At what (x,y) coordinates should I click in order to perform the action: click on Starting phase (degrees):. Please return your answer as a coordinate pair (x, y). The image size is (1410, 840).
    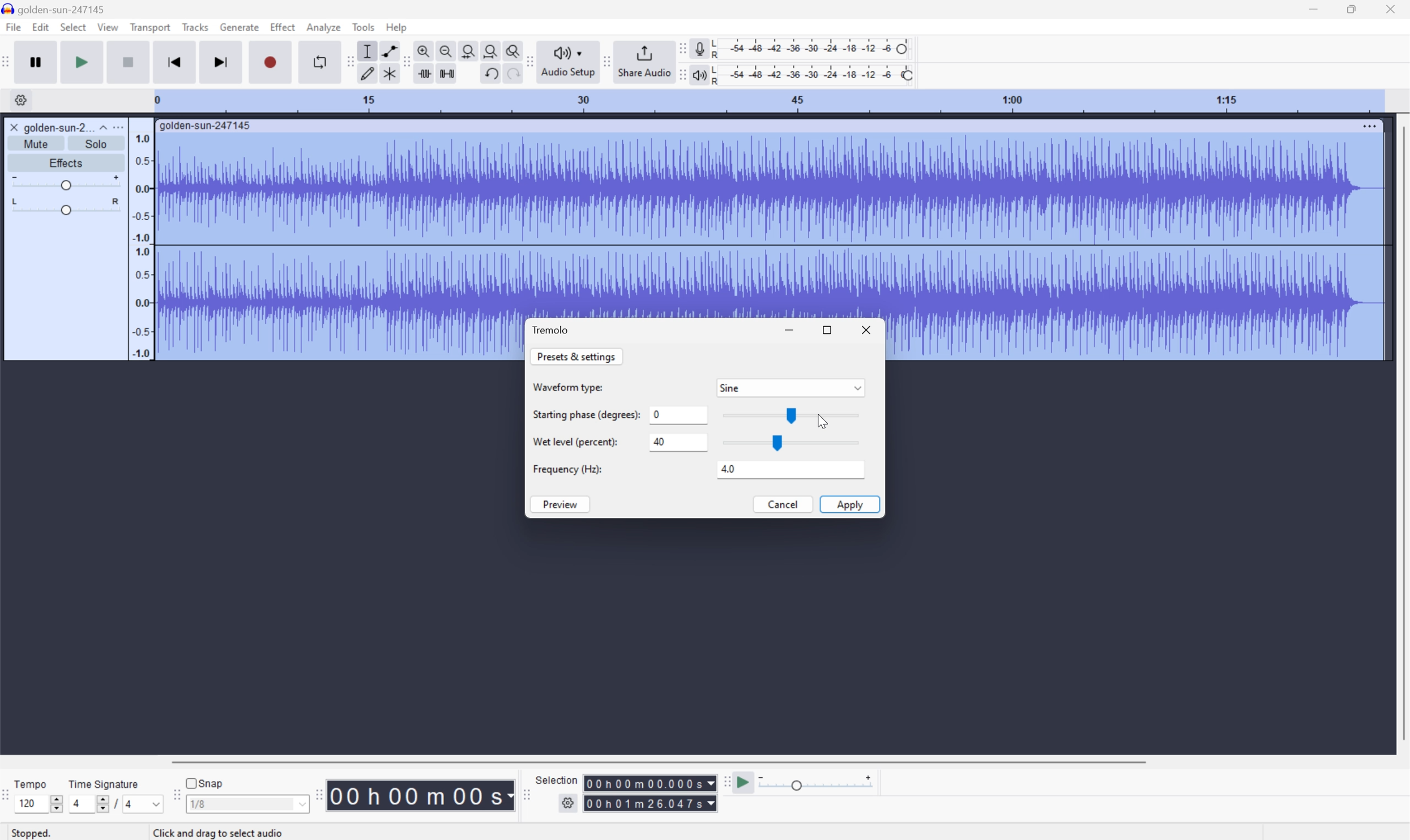
    Looking at the image, I should click on (583, 414).